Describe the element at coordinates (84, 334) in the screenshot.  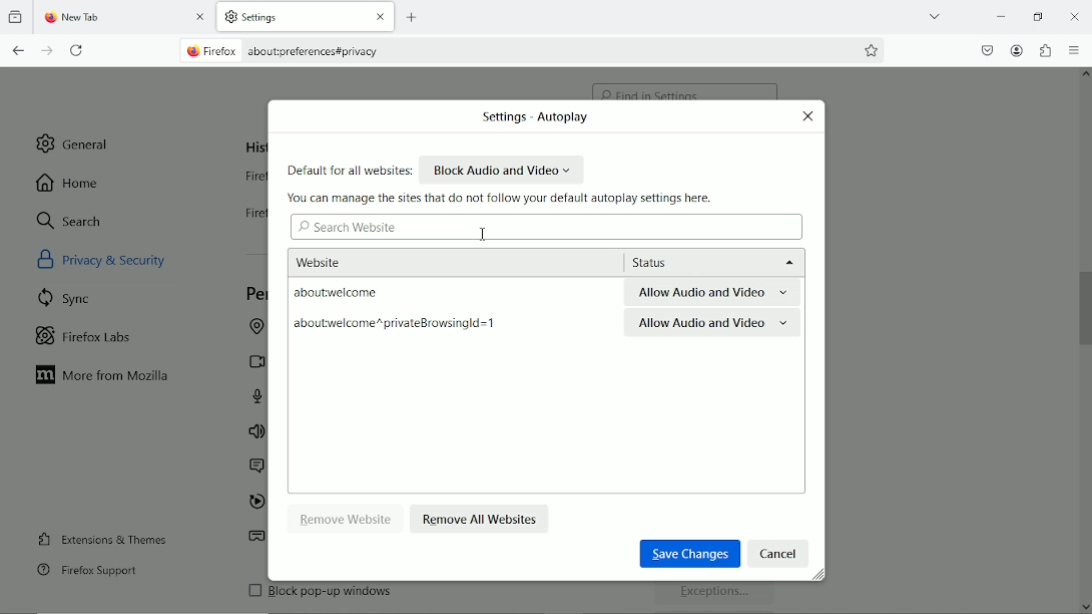
I see `firefox labs` at that location.